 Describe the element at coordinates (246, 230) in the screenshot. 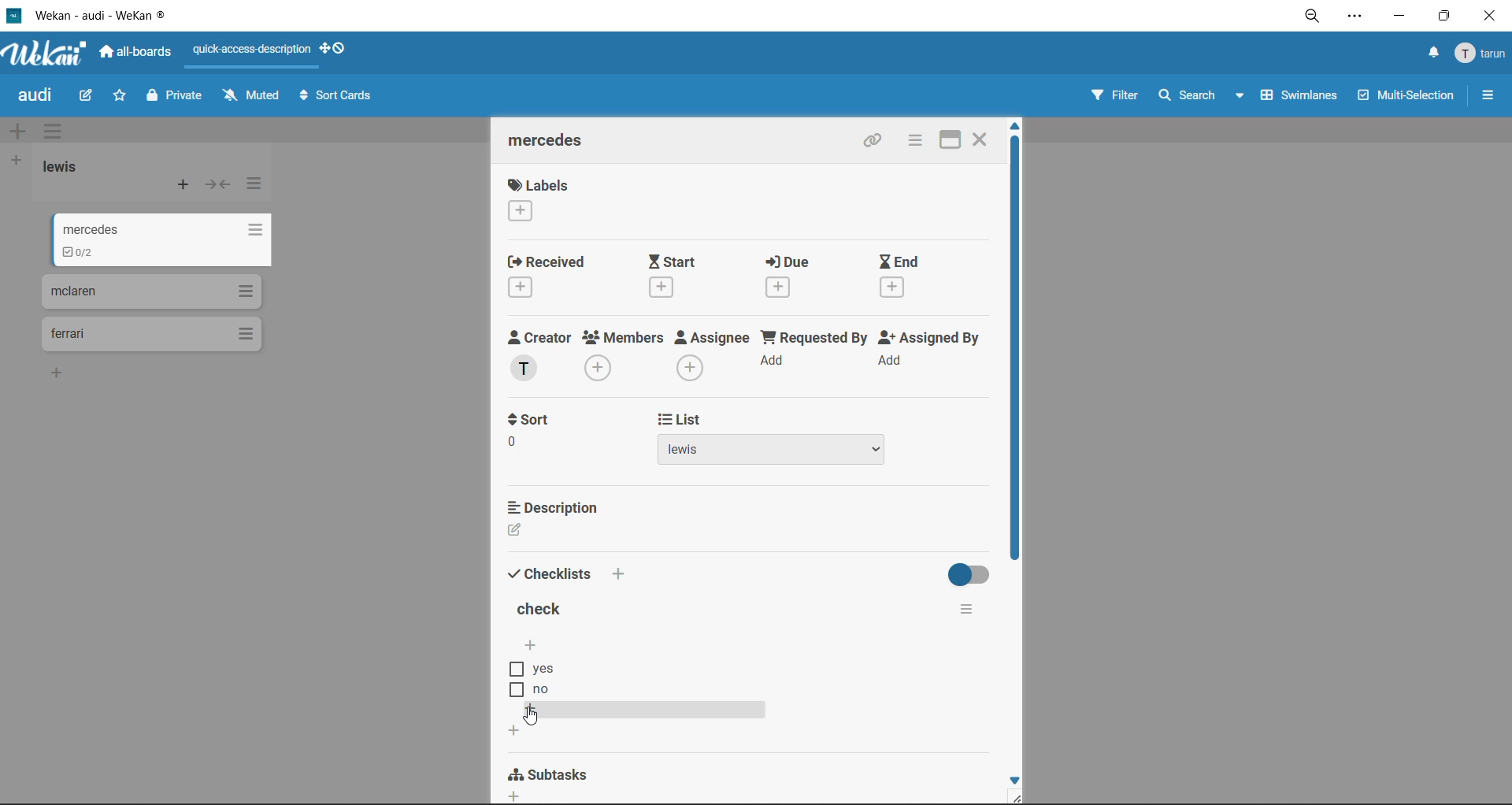

I see `list actions` at that location.